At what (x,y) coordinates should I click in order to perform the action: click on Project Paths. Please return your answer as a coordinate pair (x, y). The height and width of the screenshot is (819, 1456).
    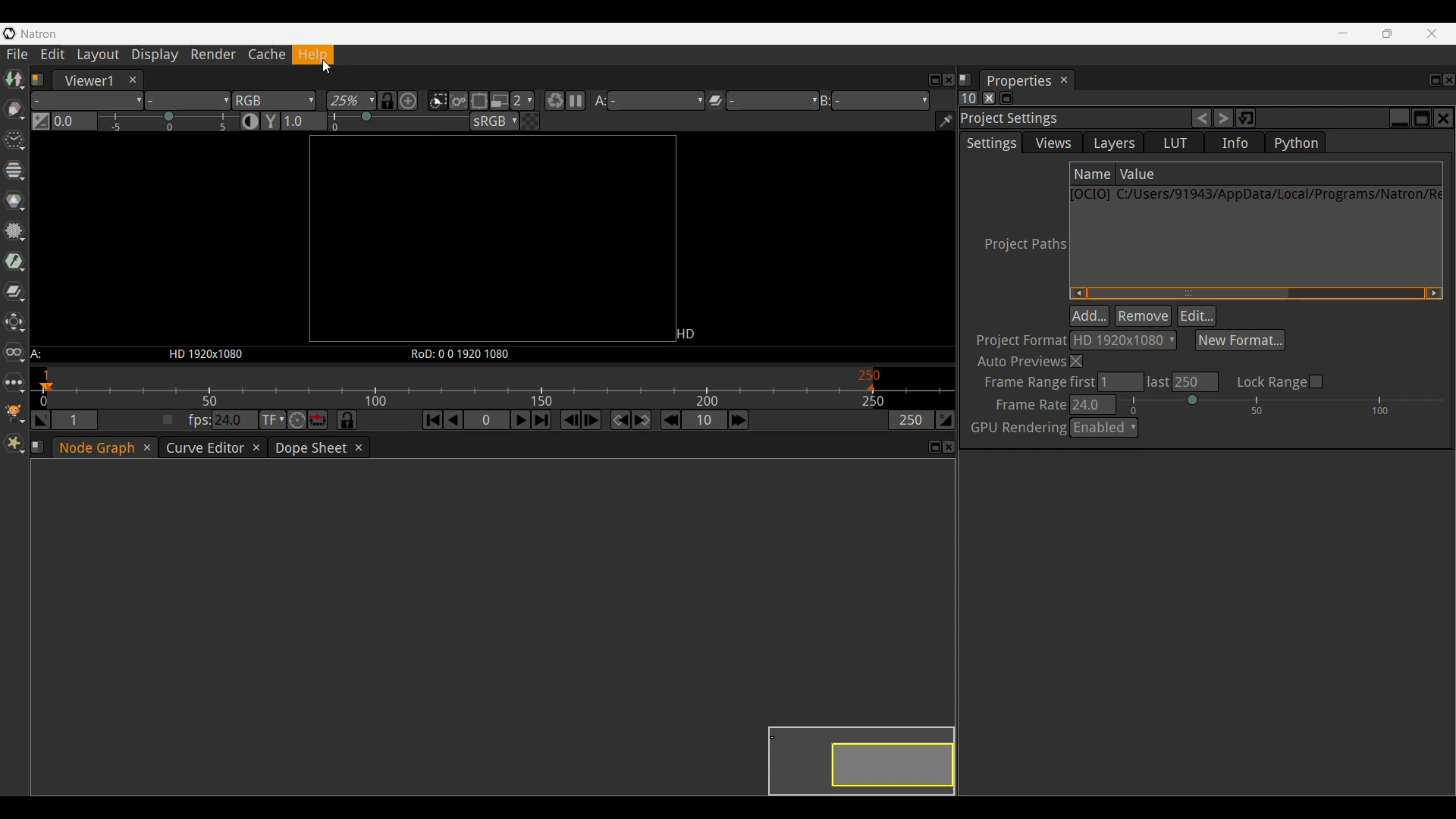
    Looking at the image, I should click on (1025, 245).